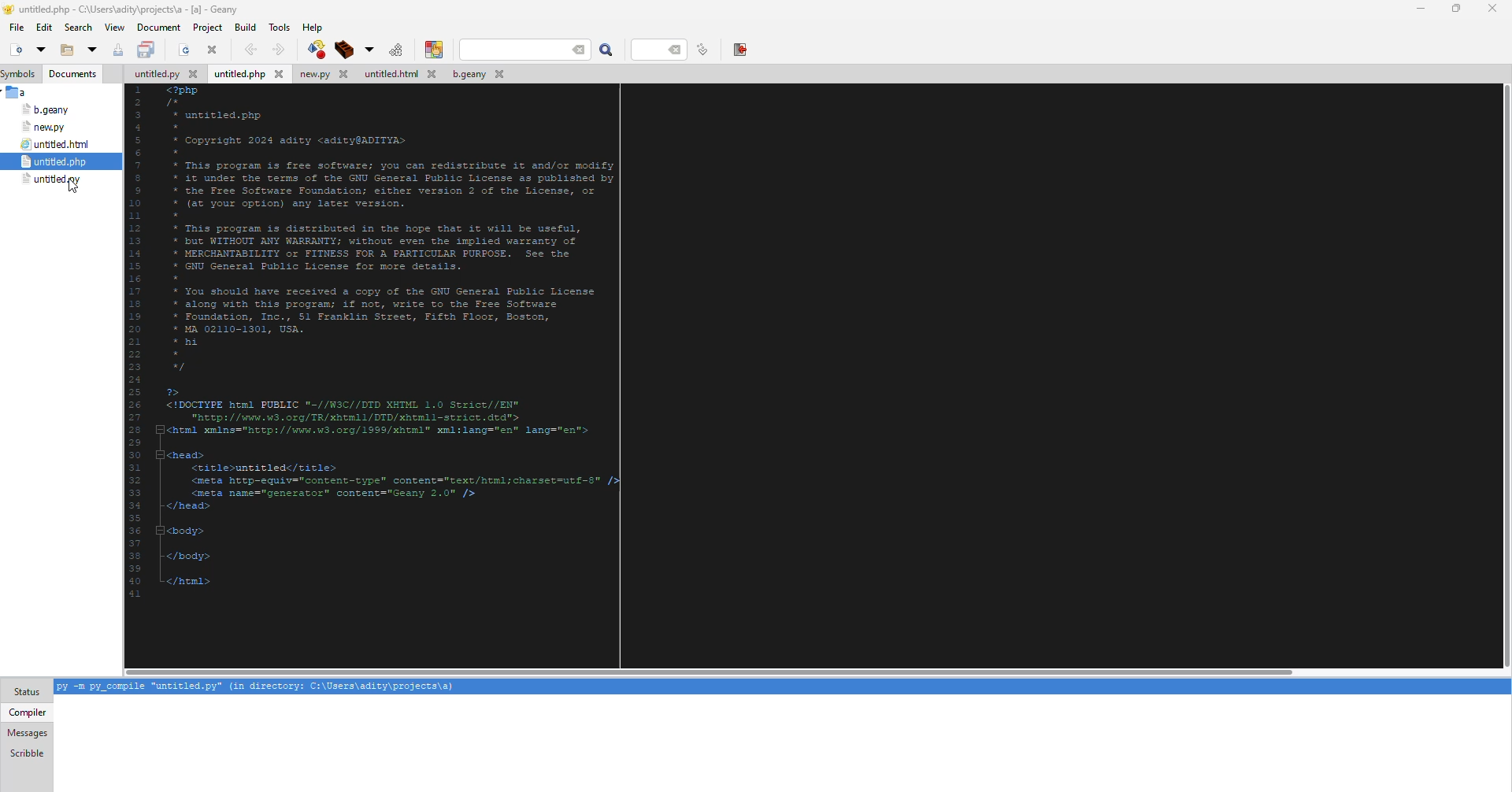 The image size is (1512, 792). I want to click on view, so click(115, 28).